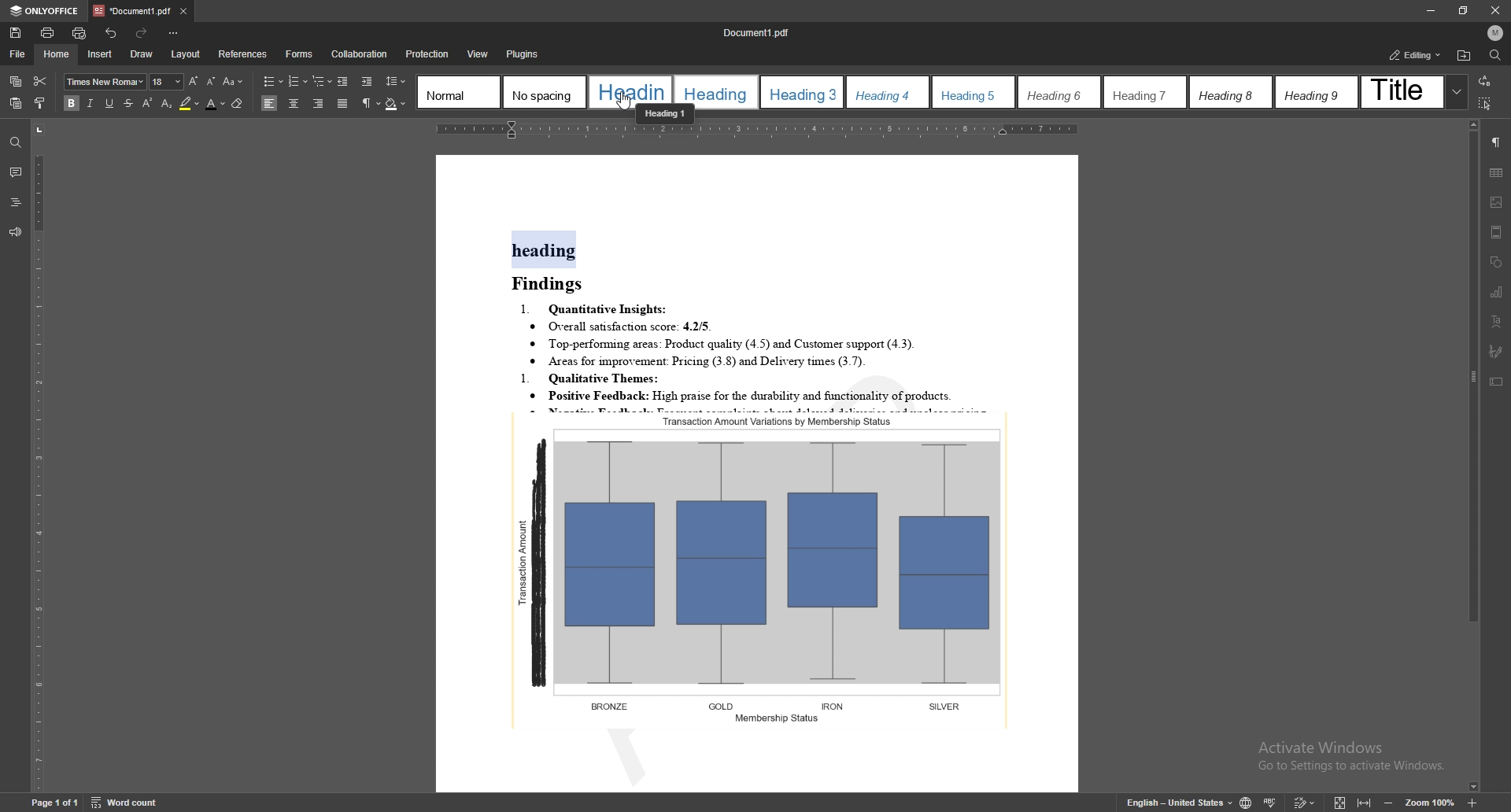 The image size is (1511, 812). I want to click on select, so click(1486, 102).